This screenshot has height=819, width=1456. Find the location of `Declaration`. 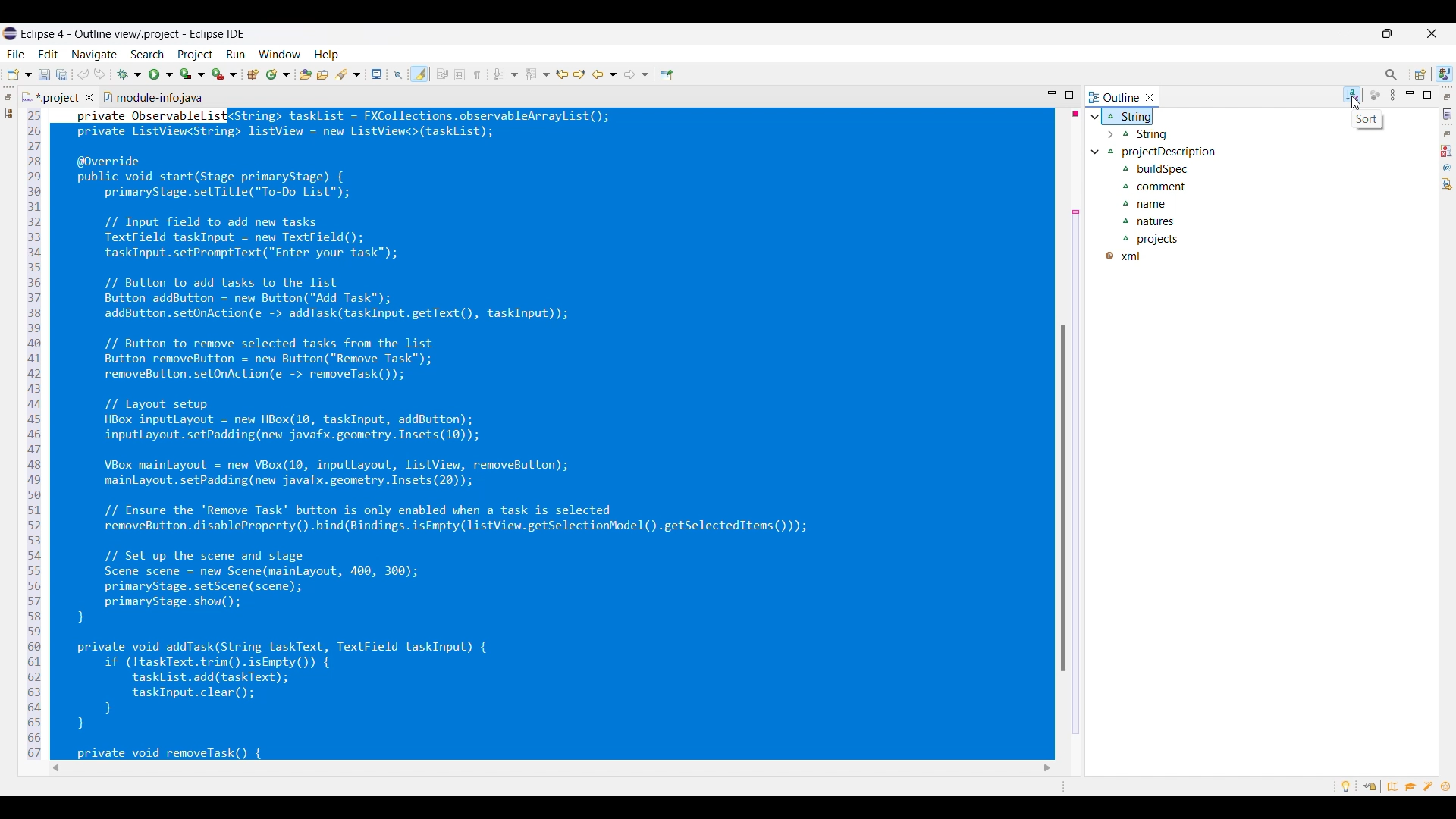

Declaration is located at coordinates (1447, 184).